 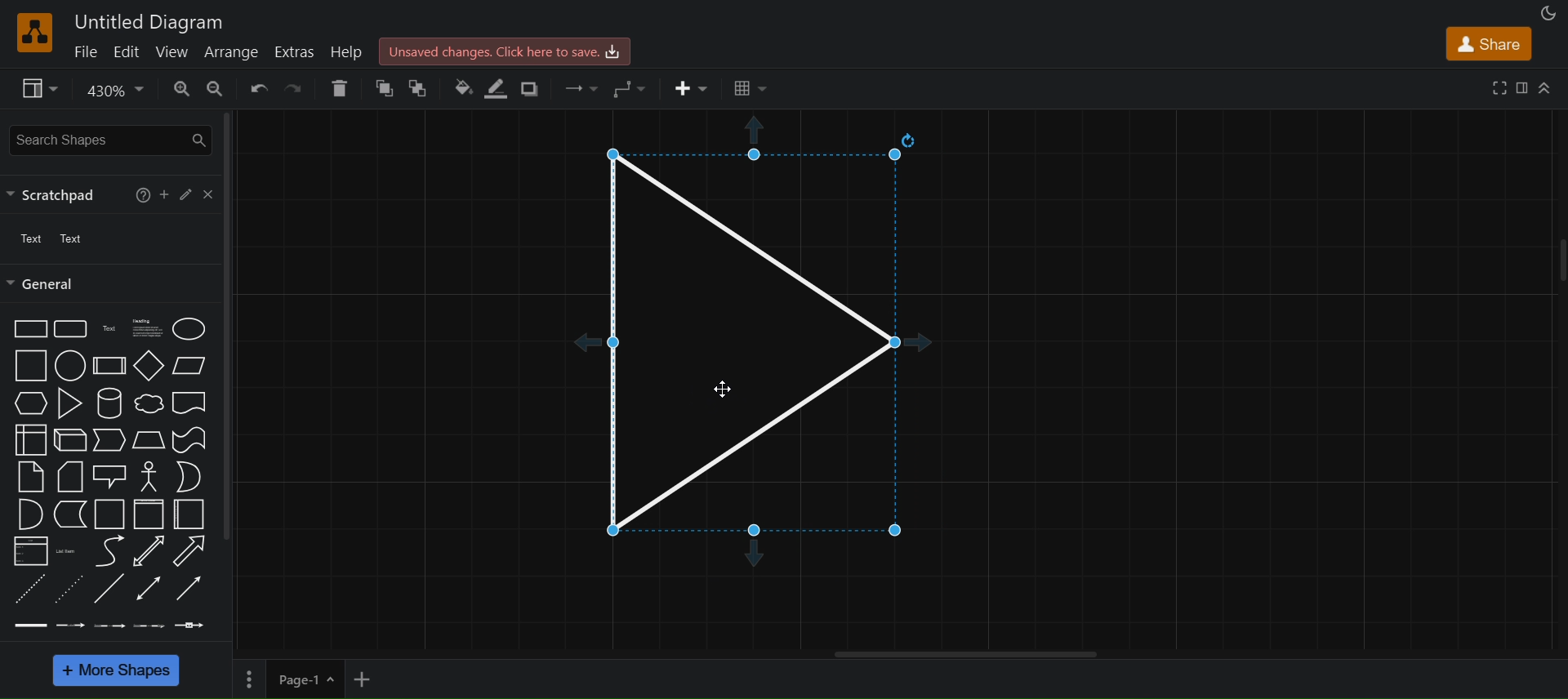 What do you see at coordinates (148, 20) in the screenshot?
I see `Untitled Diagram` at bounding box center [148, 20].